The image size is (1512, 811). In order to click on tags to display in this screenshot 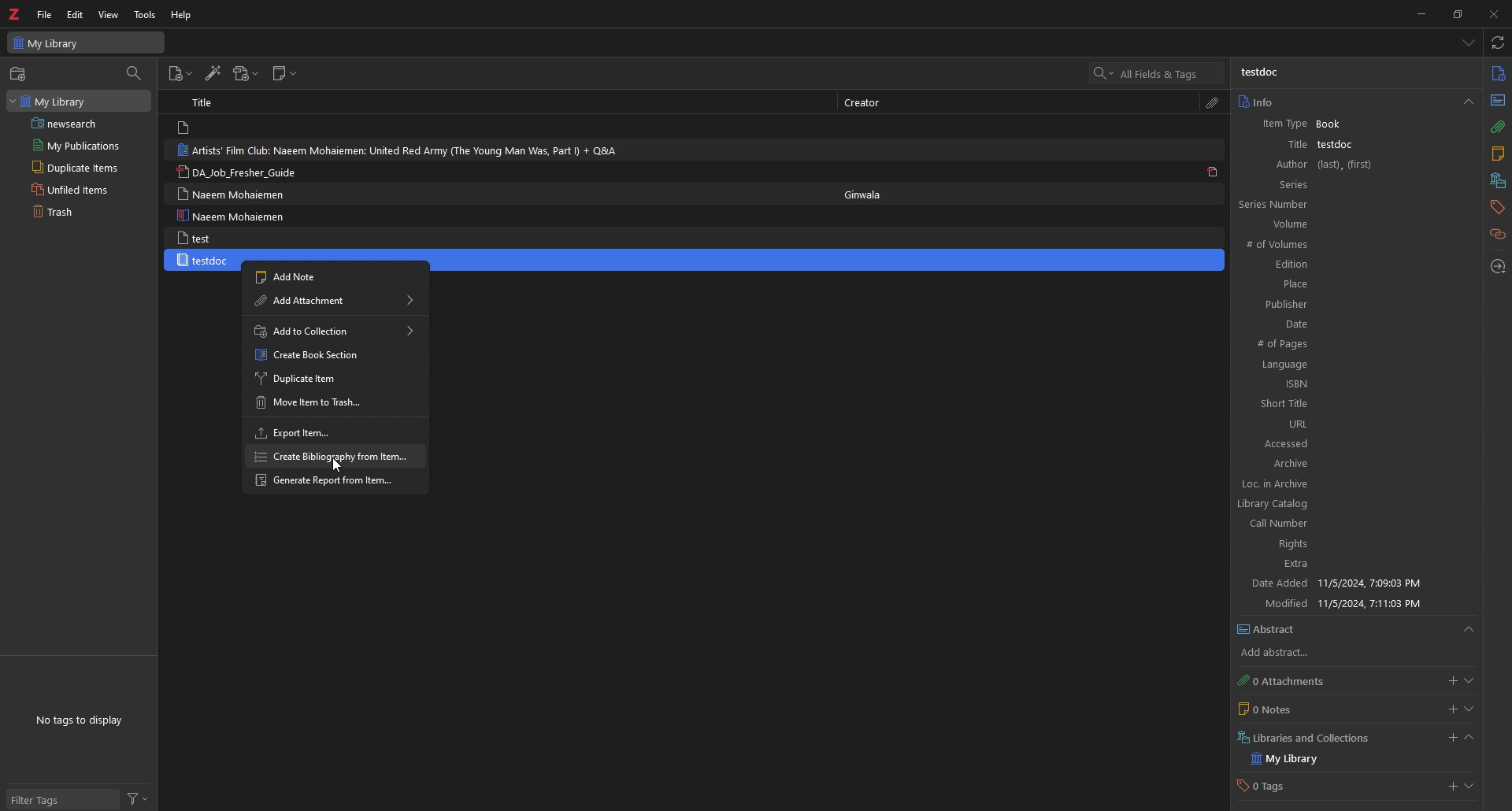, I will do `click(83, 720)`.